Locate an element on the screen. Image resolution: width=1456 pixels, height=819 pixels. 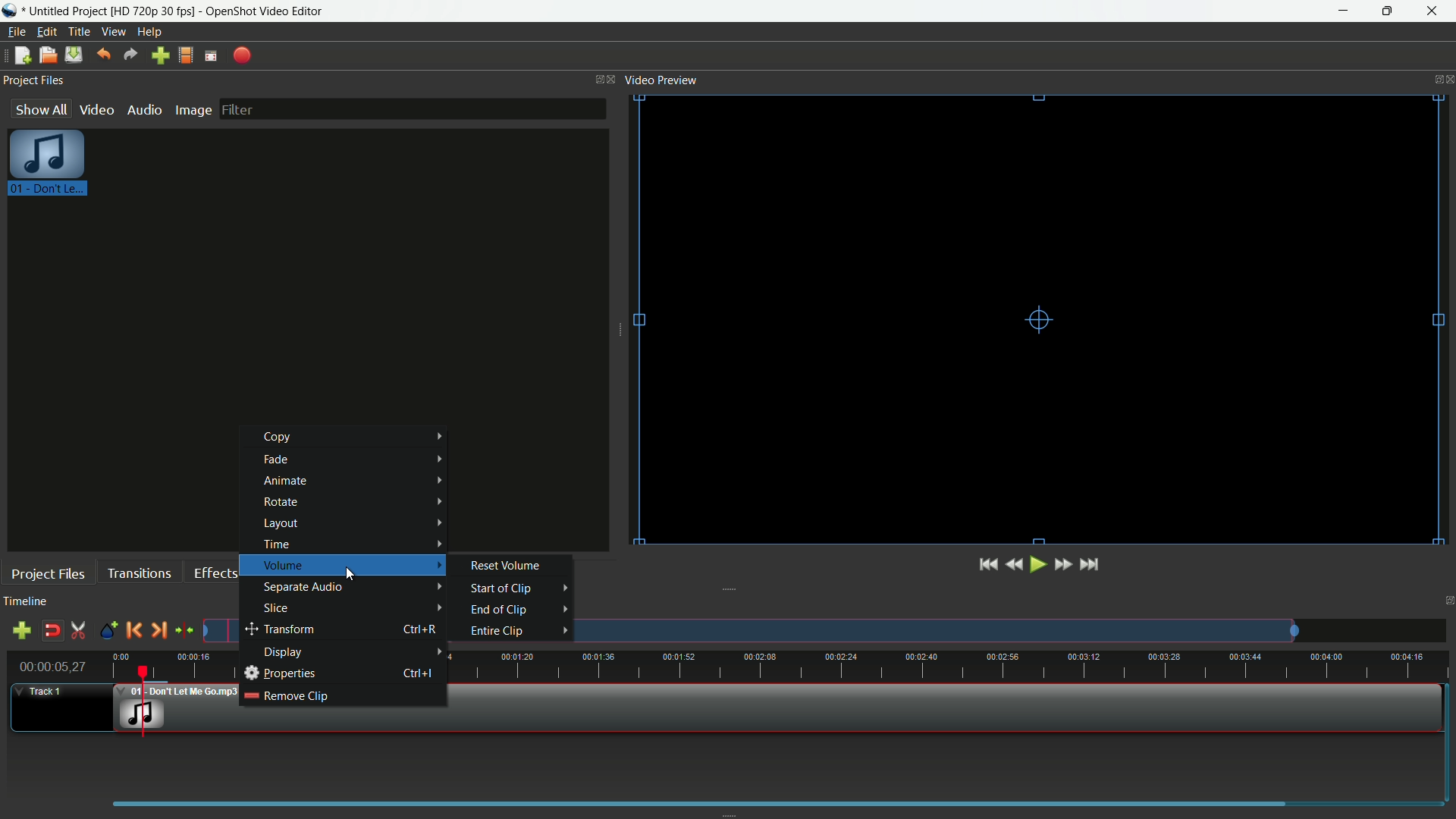
play or pause; is located at coordinates (1040, 565).